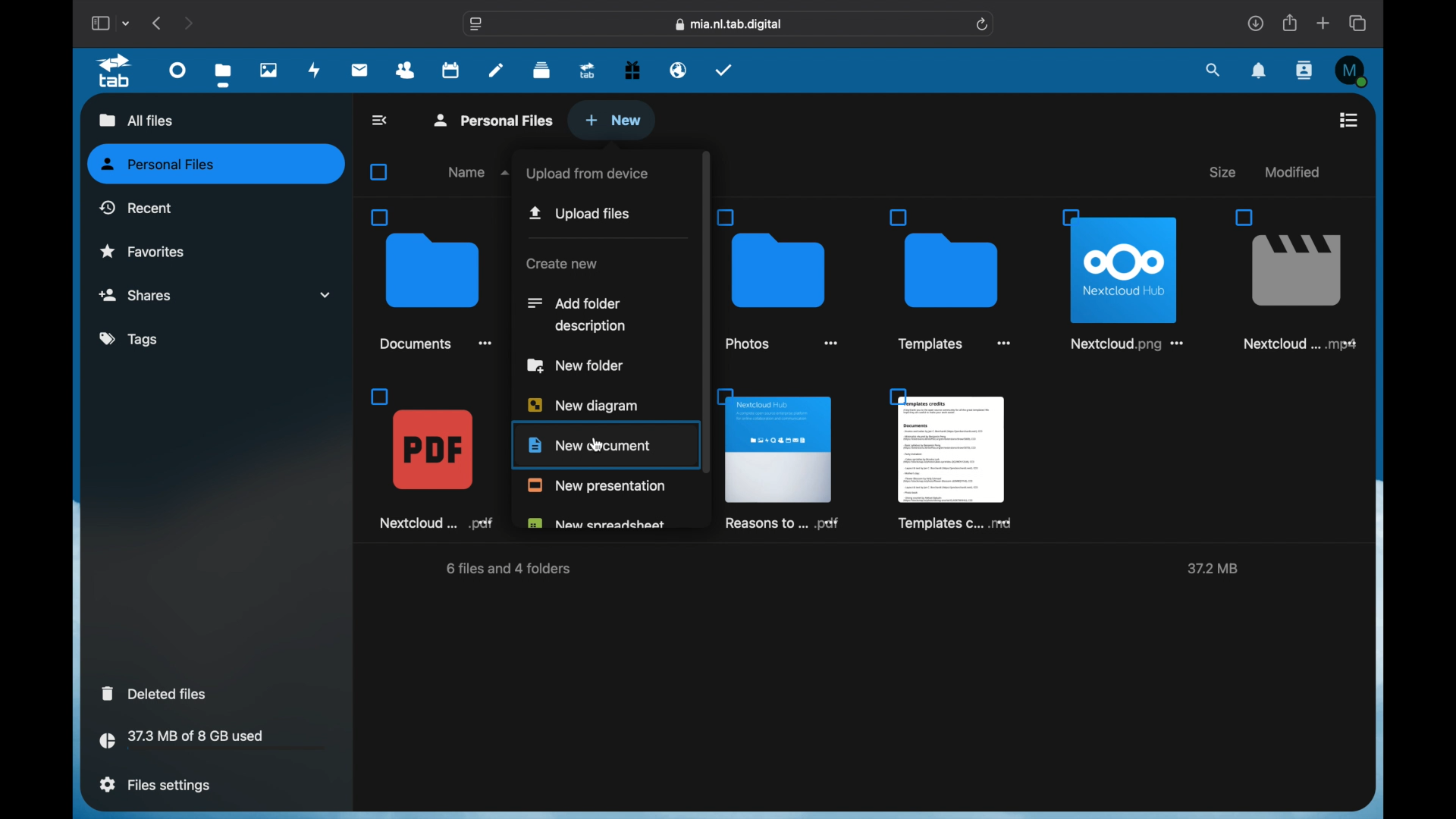 This screenshot has height=819, width=1456. I want to click on website settings, so click(476, 24).